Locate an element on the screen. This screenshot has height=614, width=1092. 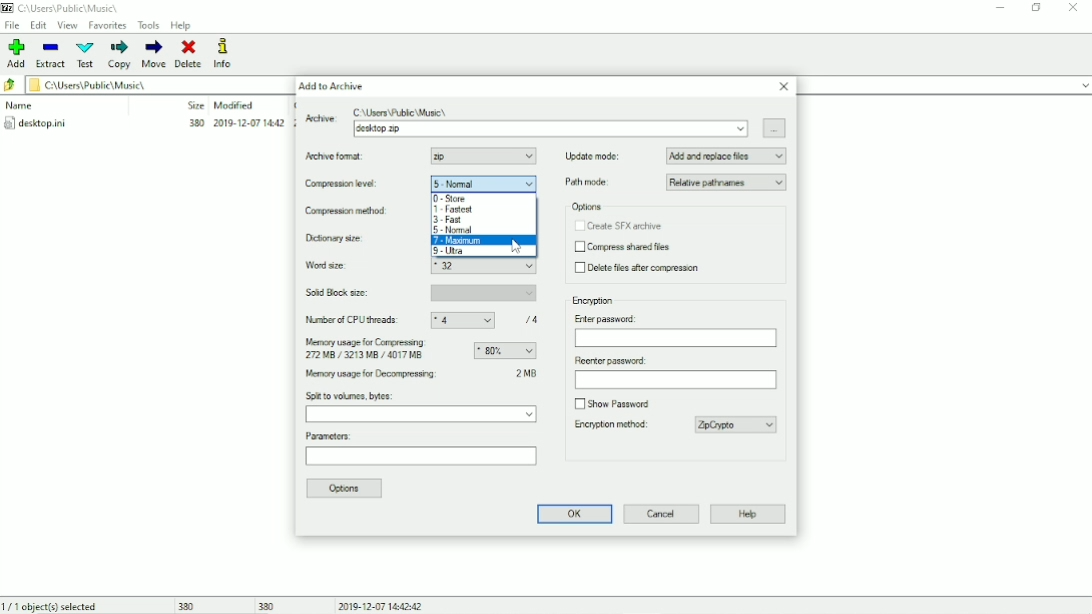
Test is located at coordinates (86, 55).